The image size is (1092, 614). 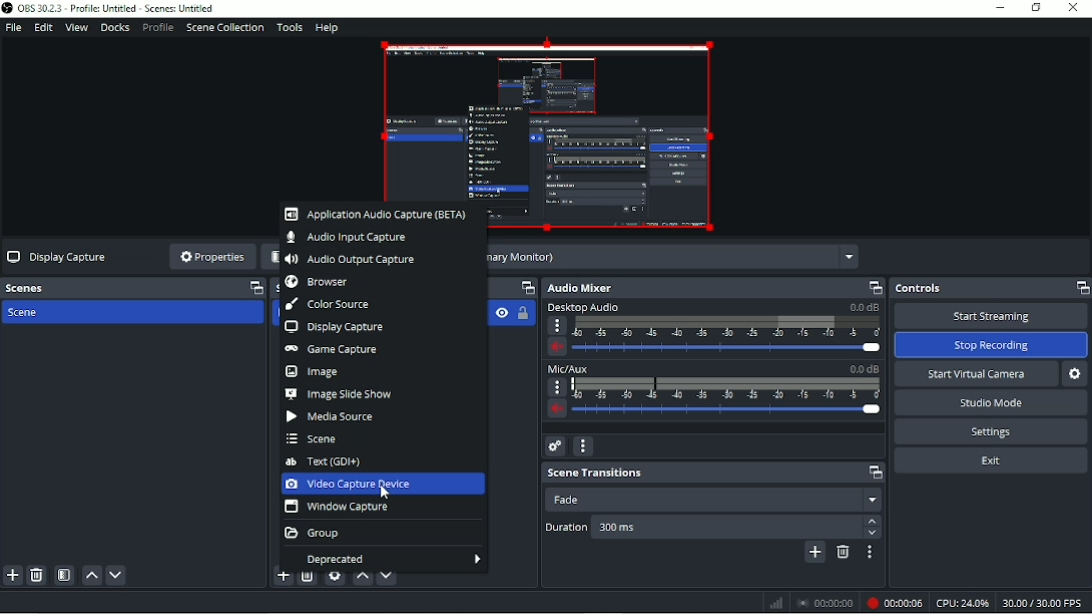 What do you see at coordinates (342, 394) in the screenshot?
I see `Image slide show` at bounding box center [342, 394].